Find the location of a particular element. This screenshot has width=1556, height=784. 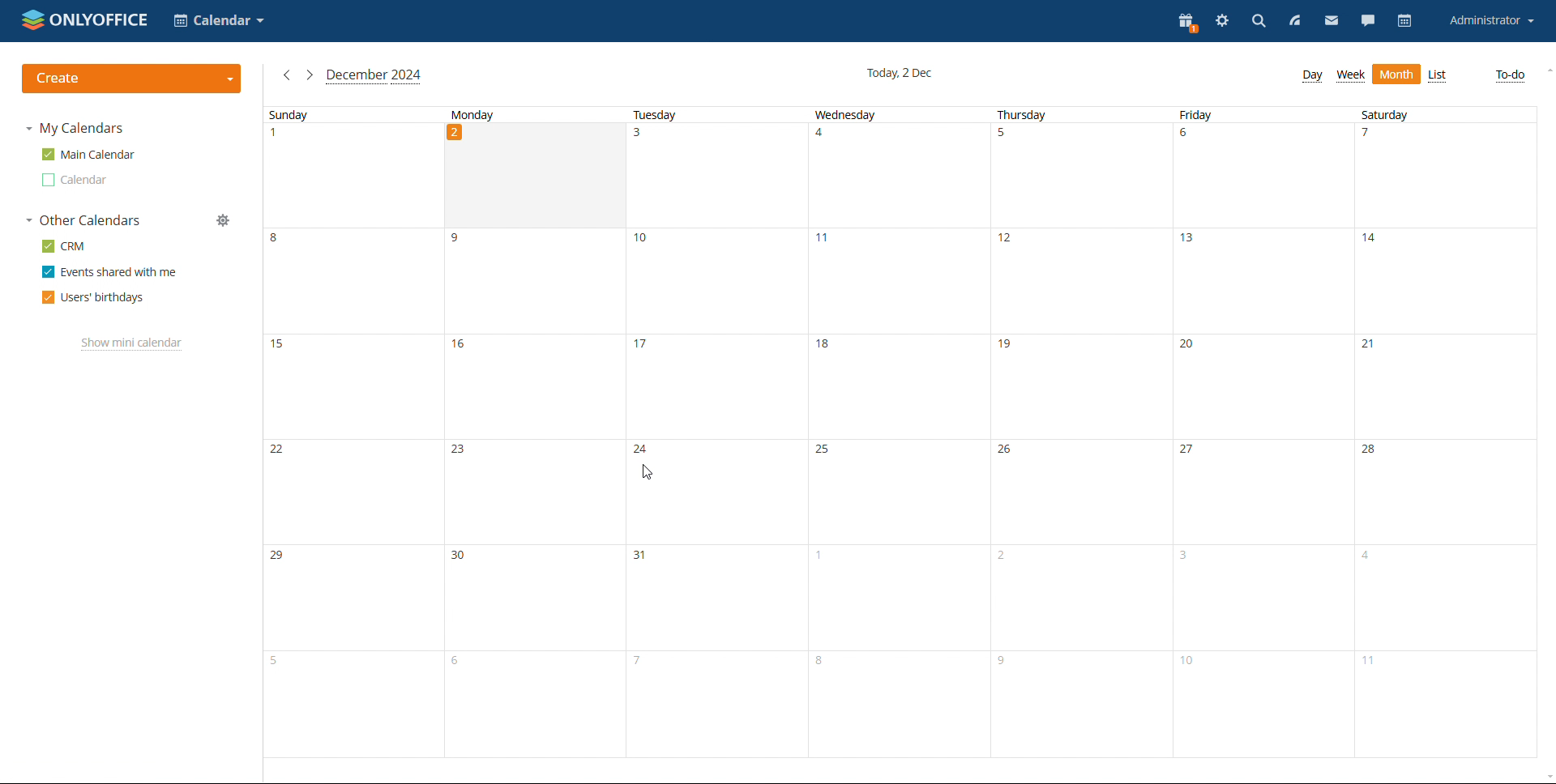

1 is located at coordinates (820, 559).